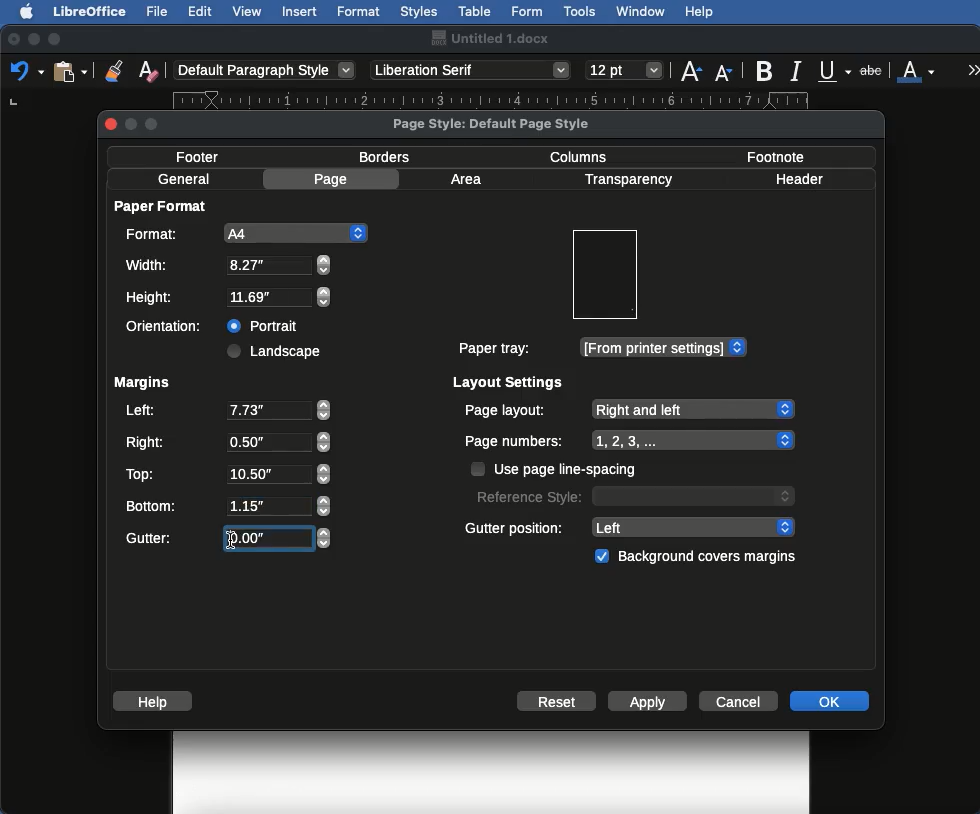  I want to click on Page, so click(334, 179).